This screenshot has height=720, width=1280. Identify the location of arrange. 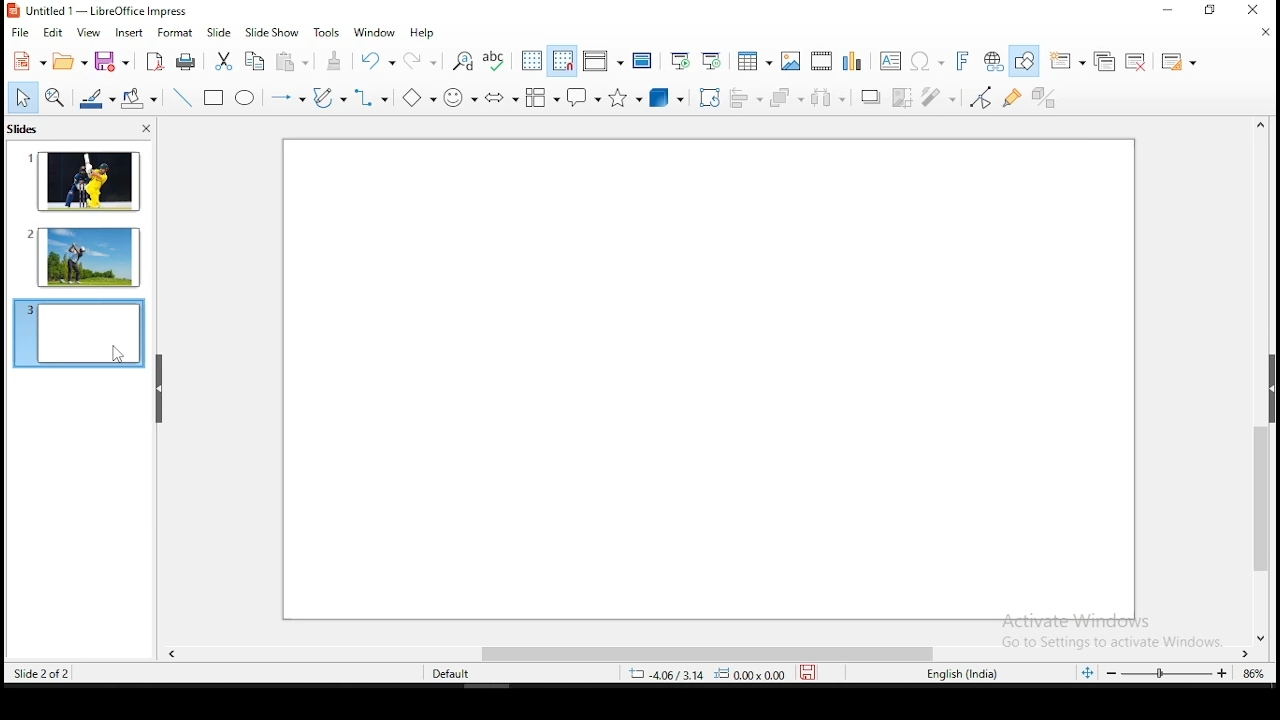
(788, 98).